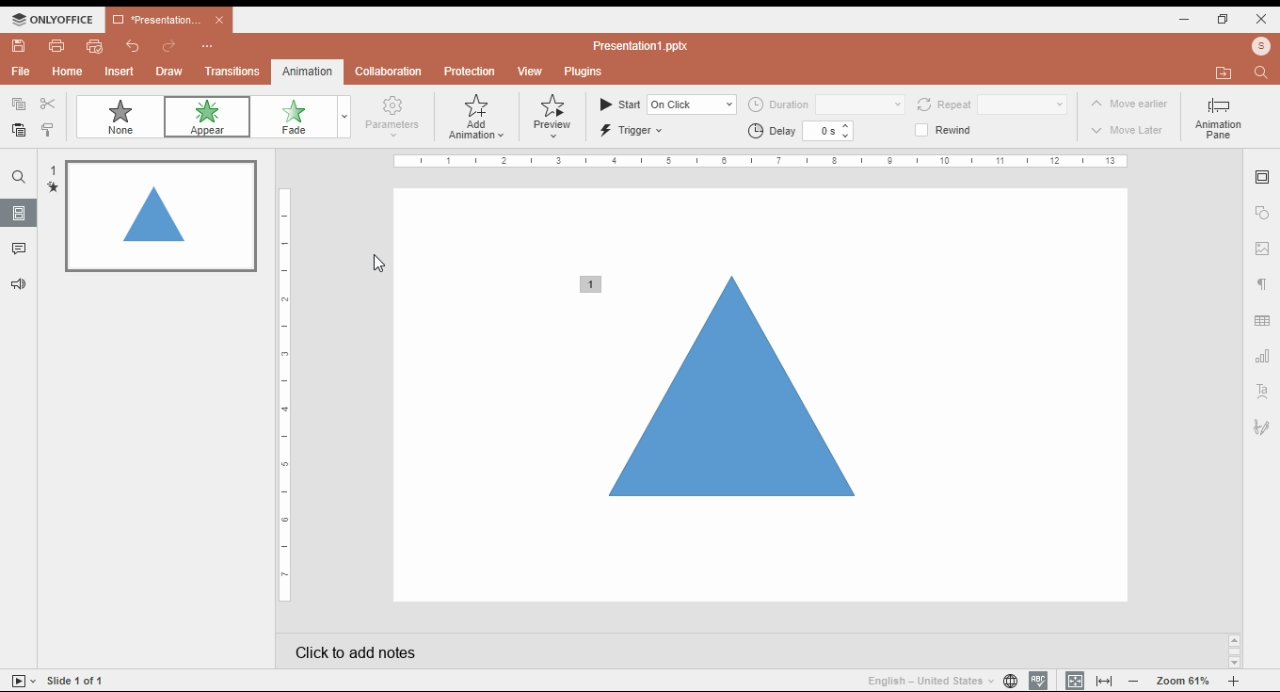  What do you see at coordinates (1262, 46) in the screenshot?
I see `profile` at bounding box center [1262, 46].